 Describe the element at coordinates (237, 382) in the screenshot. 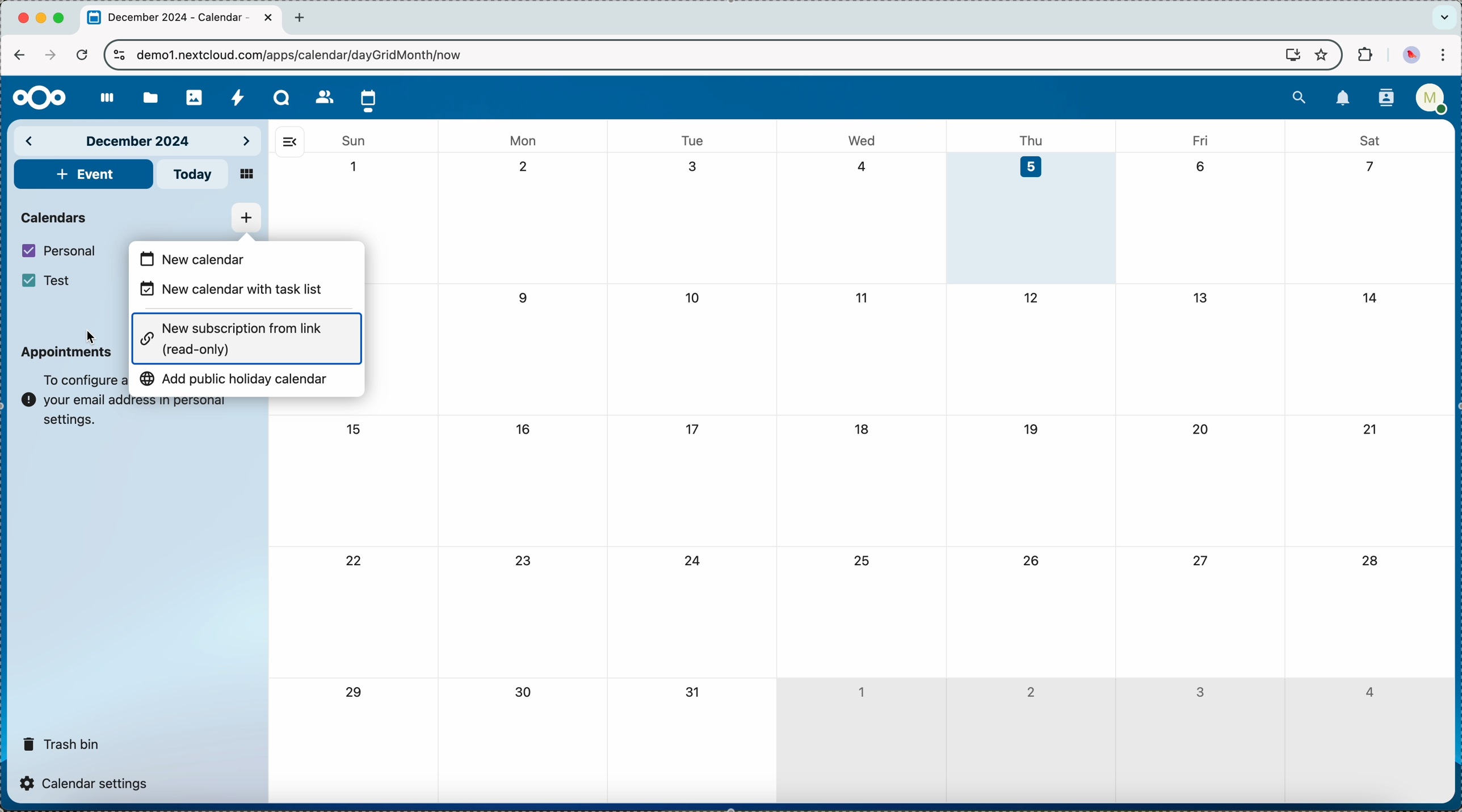

I see `add public holiday calendar` at that location.